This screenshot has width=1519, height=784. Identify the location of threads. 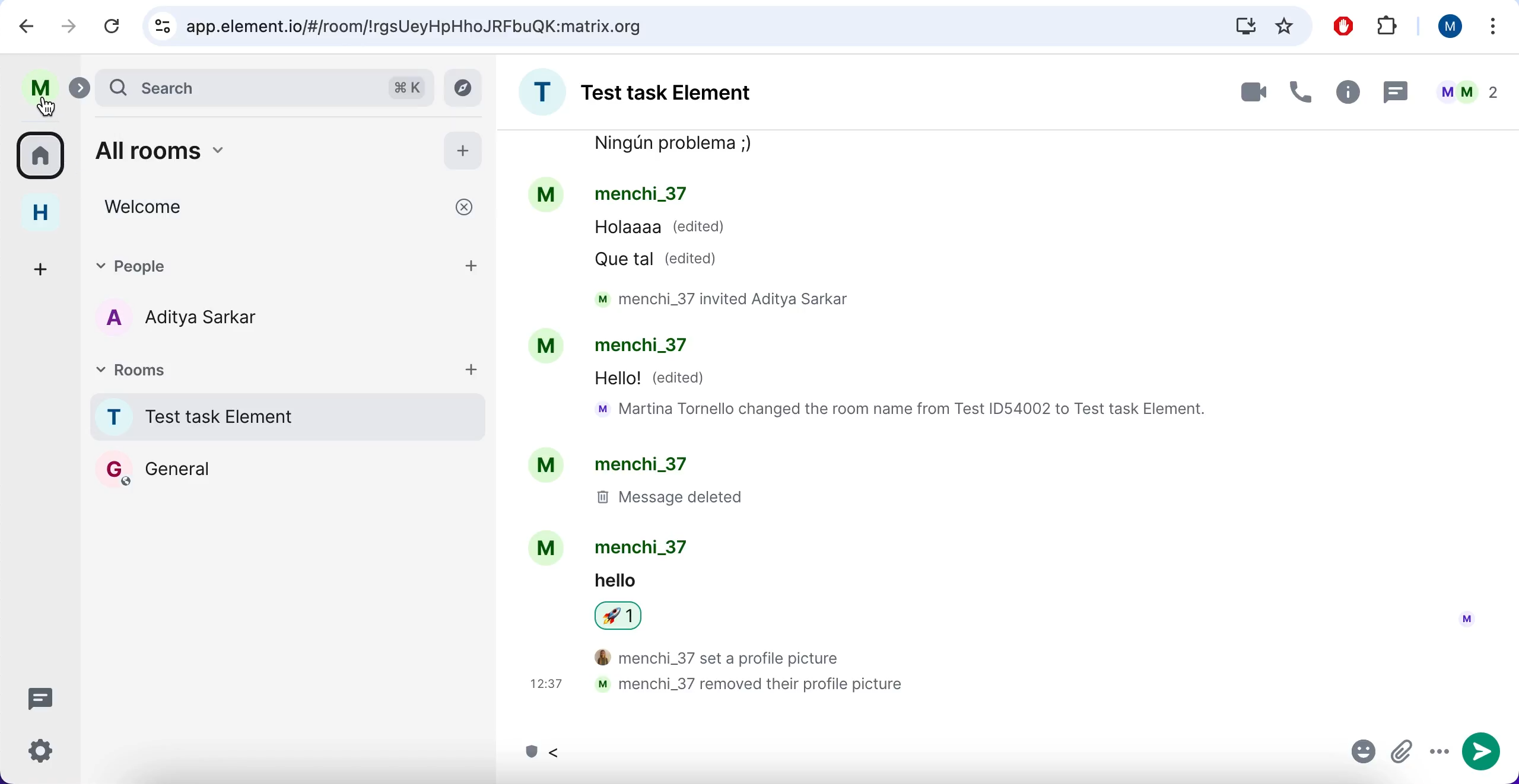
(1397, 93).